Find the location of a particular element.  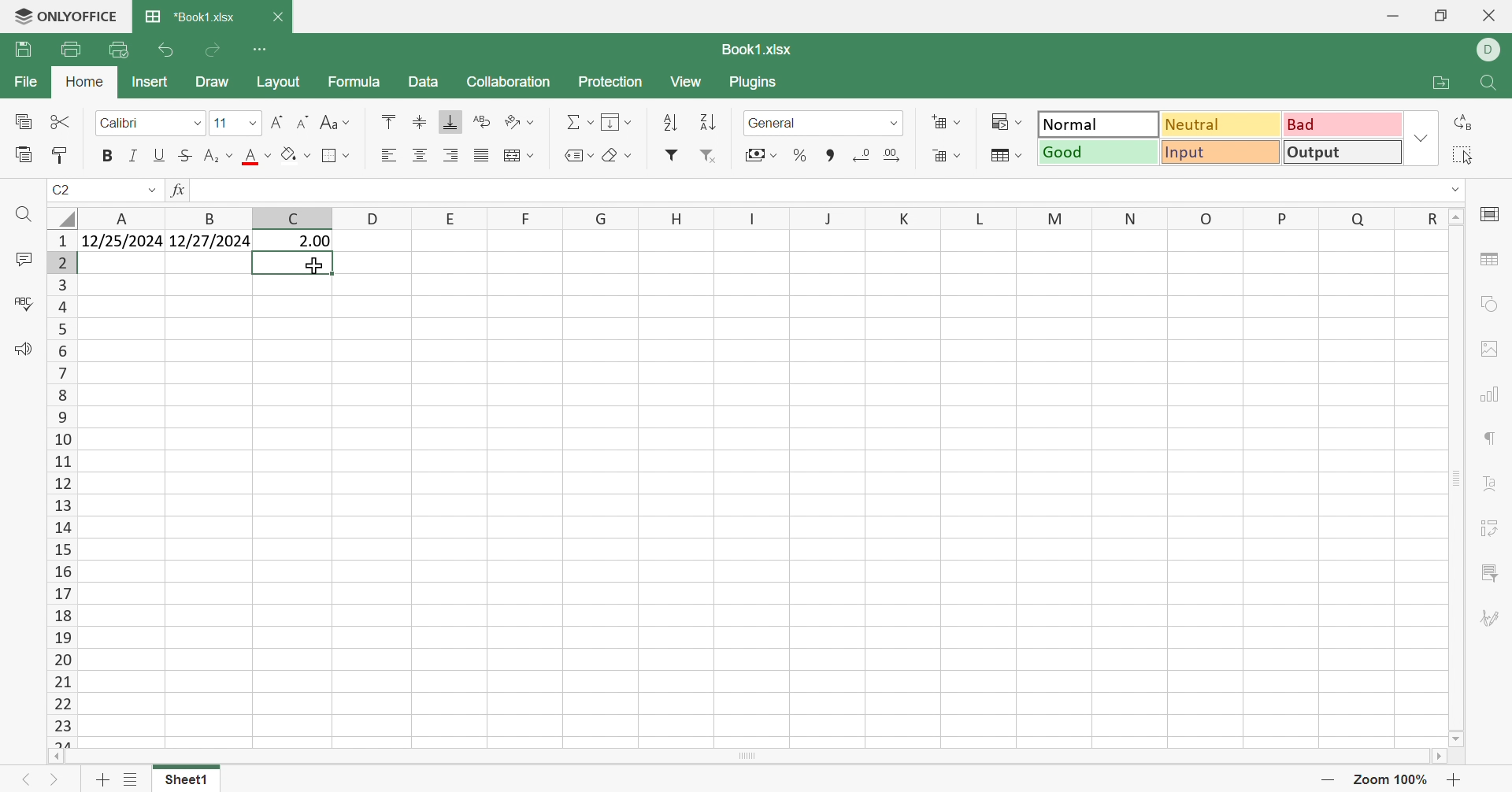

Chart settings is located at coordinates (1490, 393).